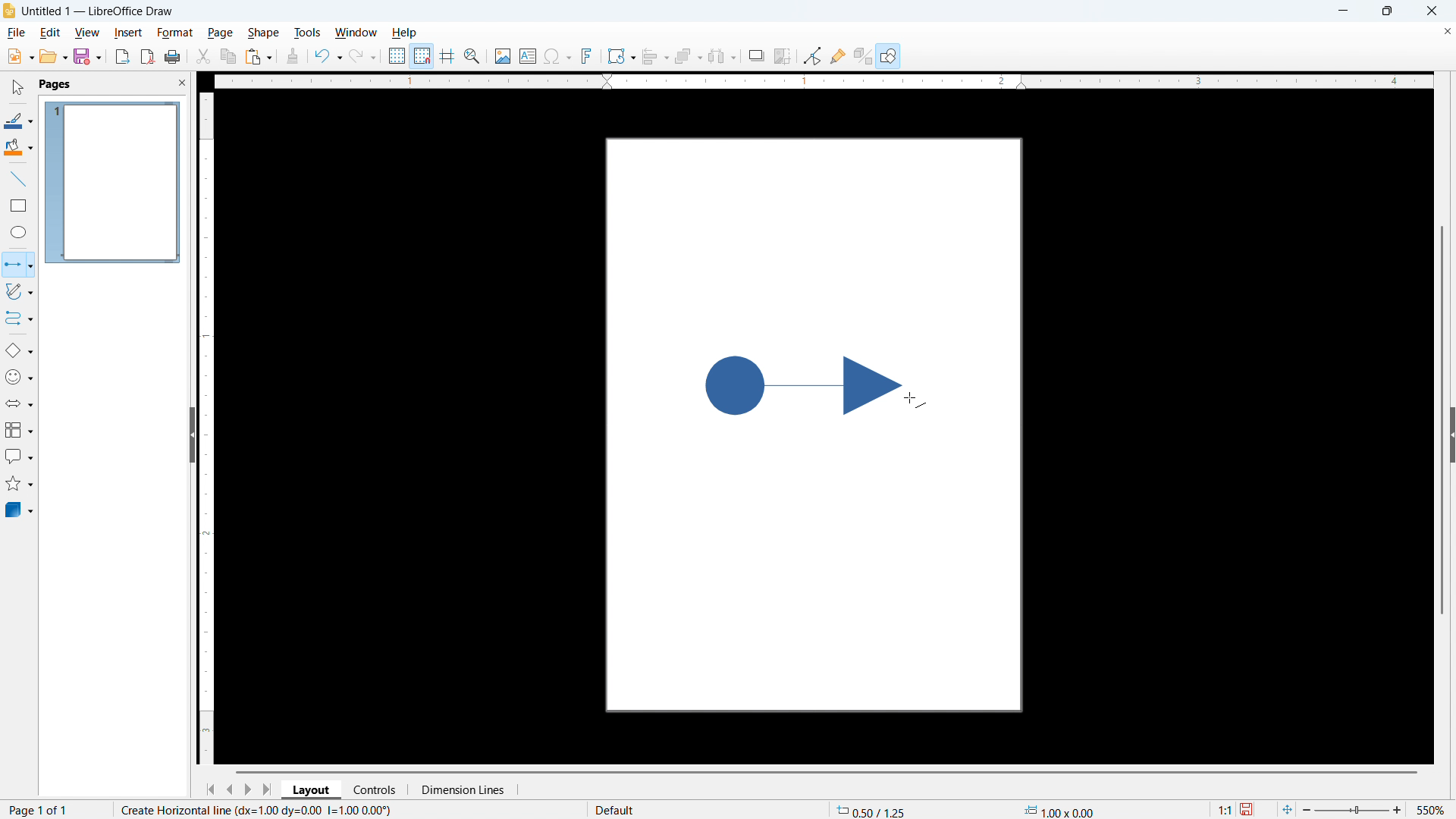 This screenshot has width=1456, height=819. What do you see at coordinates (148, 56) in the screenshot?
I see `Export as P D F ` at bounding box center [148, 56].